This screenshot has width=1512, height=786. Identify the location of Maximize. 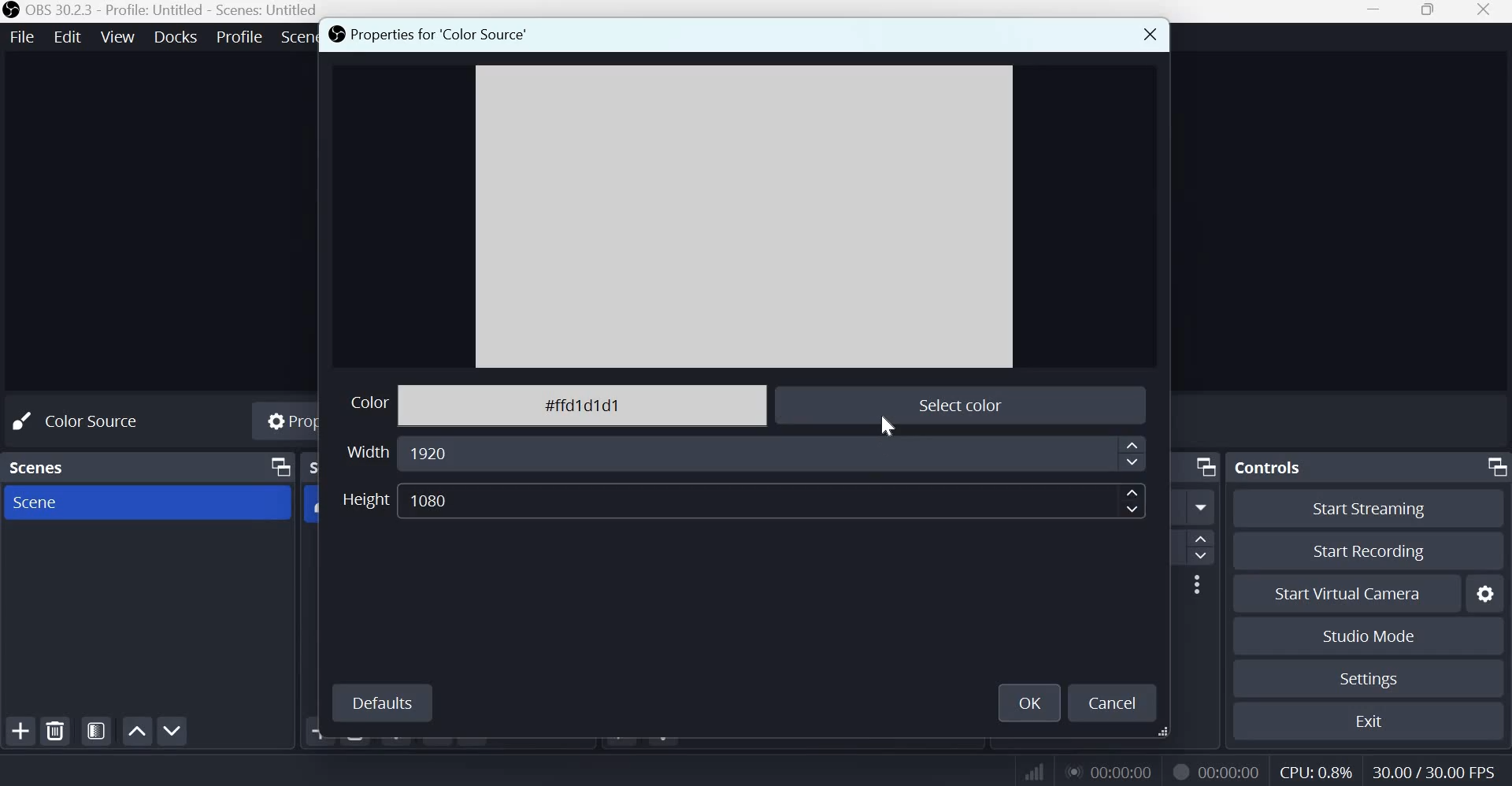
(1428, 11).